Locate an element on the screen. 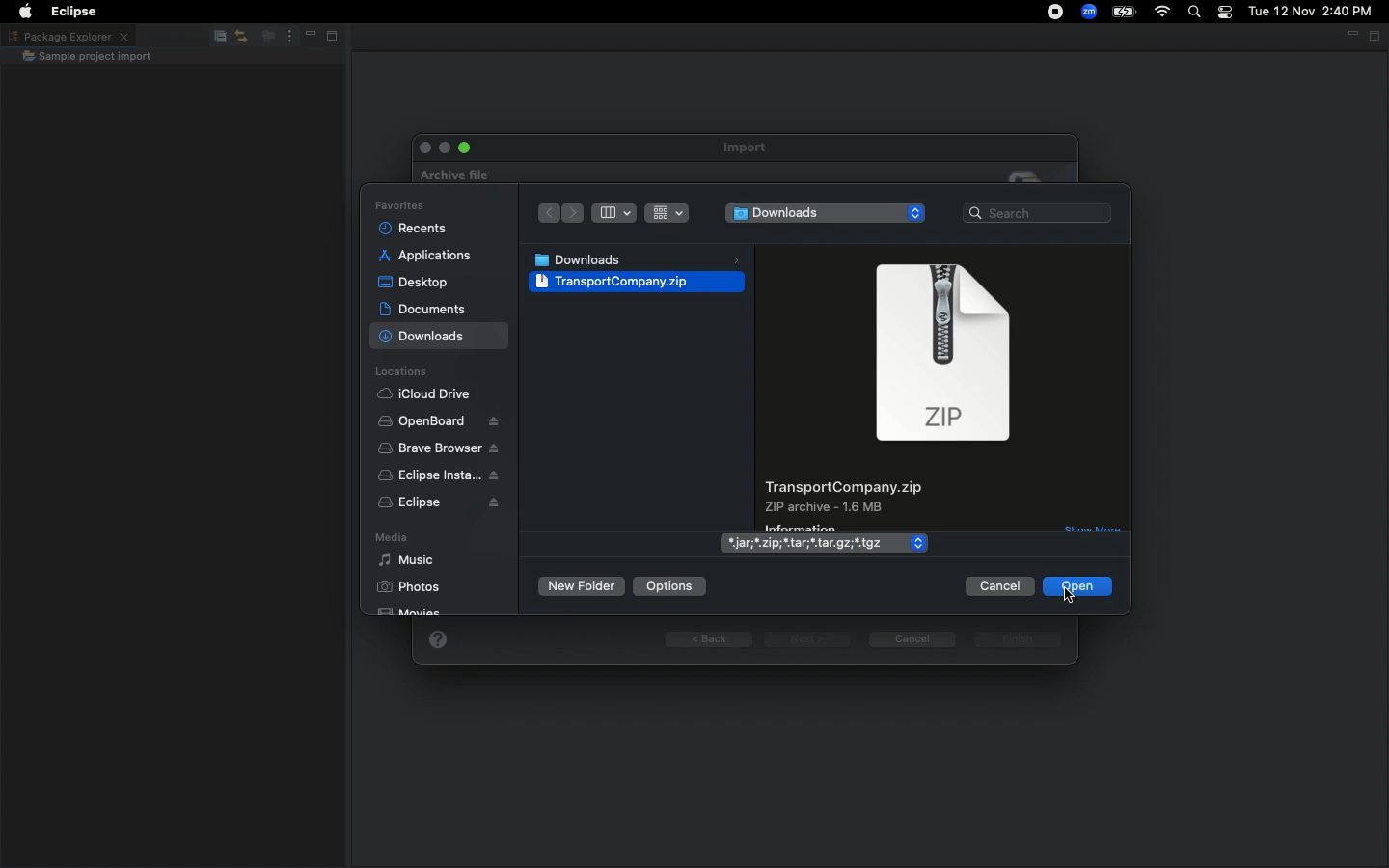 The height and width of the screenshot is (868, 1389). Tue 12 Nov 2:40 PM is located at coordinates (1310, 12).